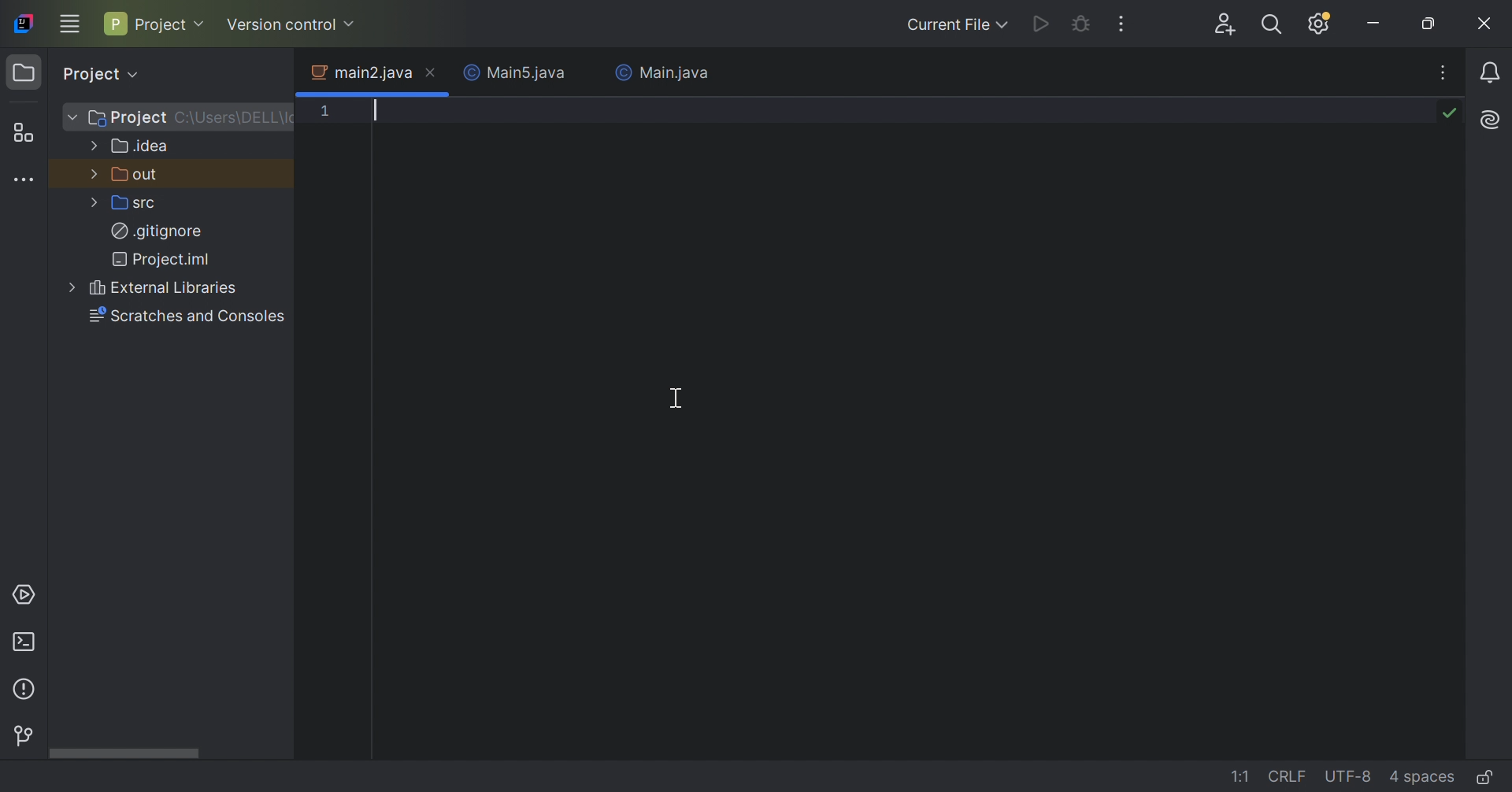  Describe the element at coordinates (235, 117) in the screenshot. I see `C\:Users\DELL\` at that location.